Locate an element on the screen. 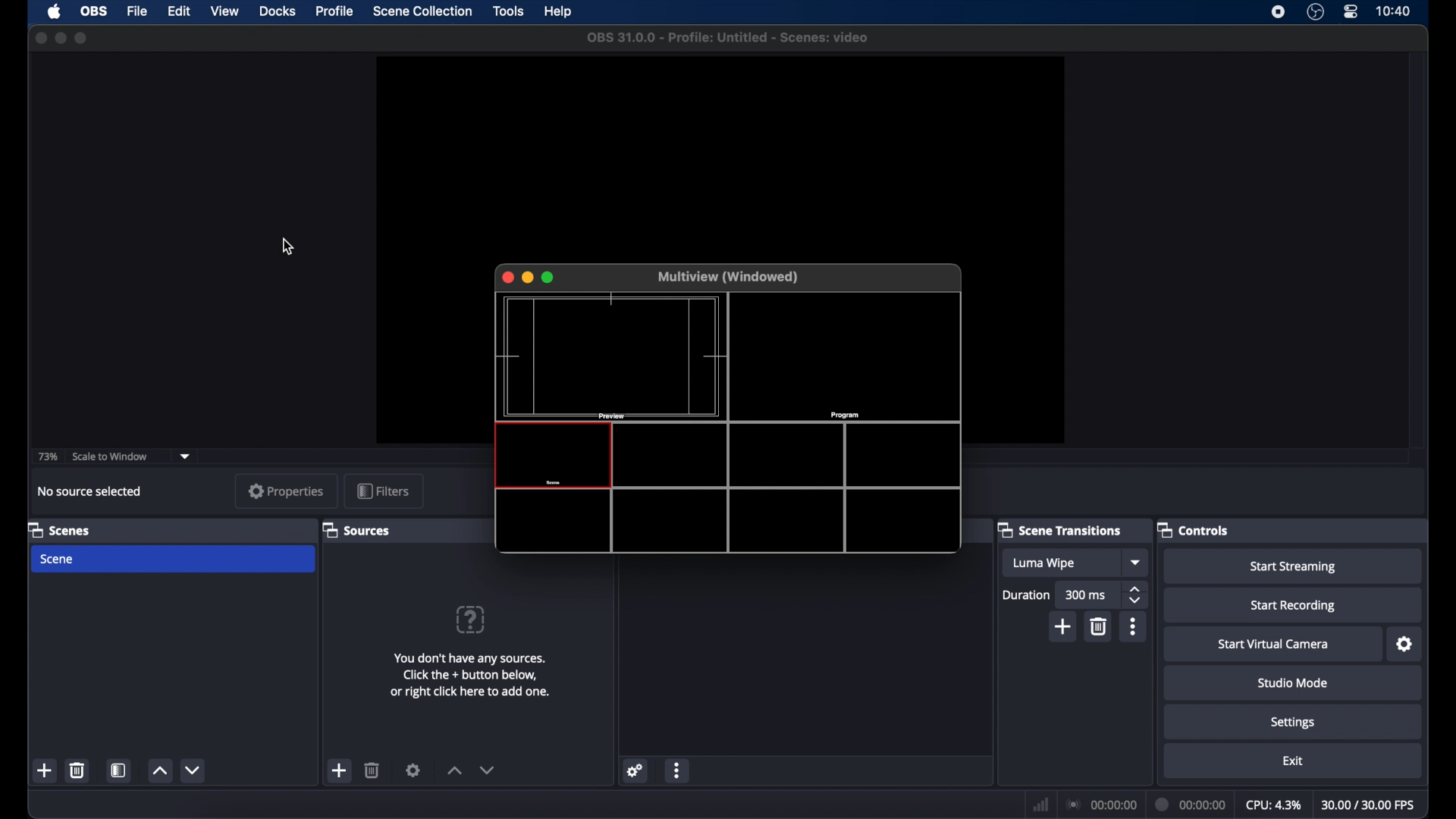  scale to window is located at coordinates (111, 456).